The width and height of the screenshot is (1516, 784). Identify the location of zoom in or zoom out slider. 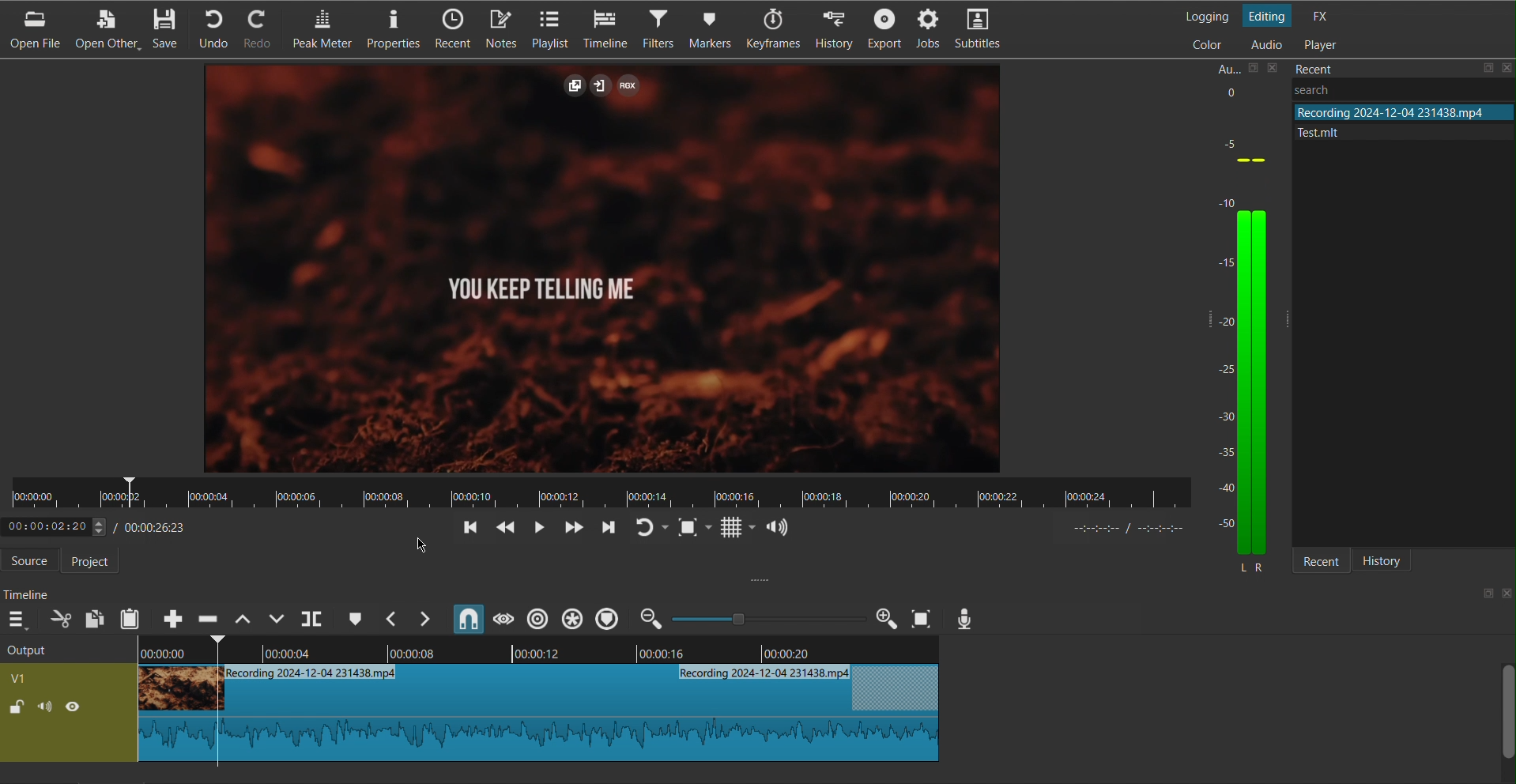
(763, 618).